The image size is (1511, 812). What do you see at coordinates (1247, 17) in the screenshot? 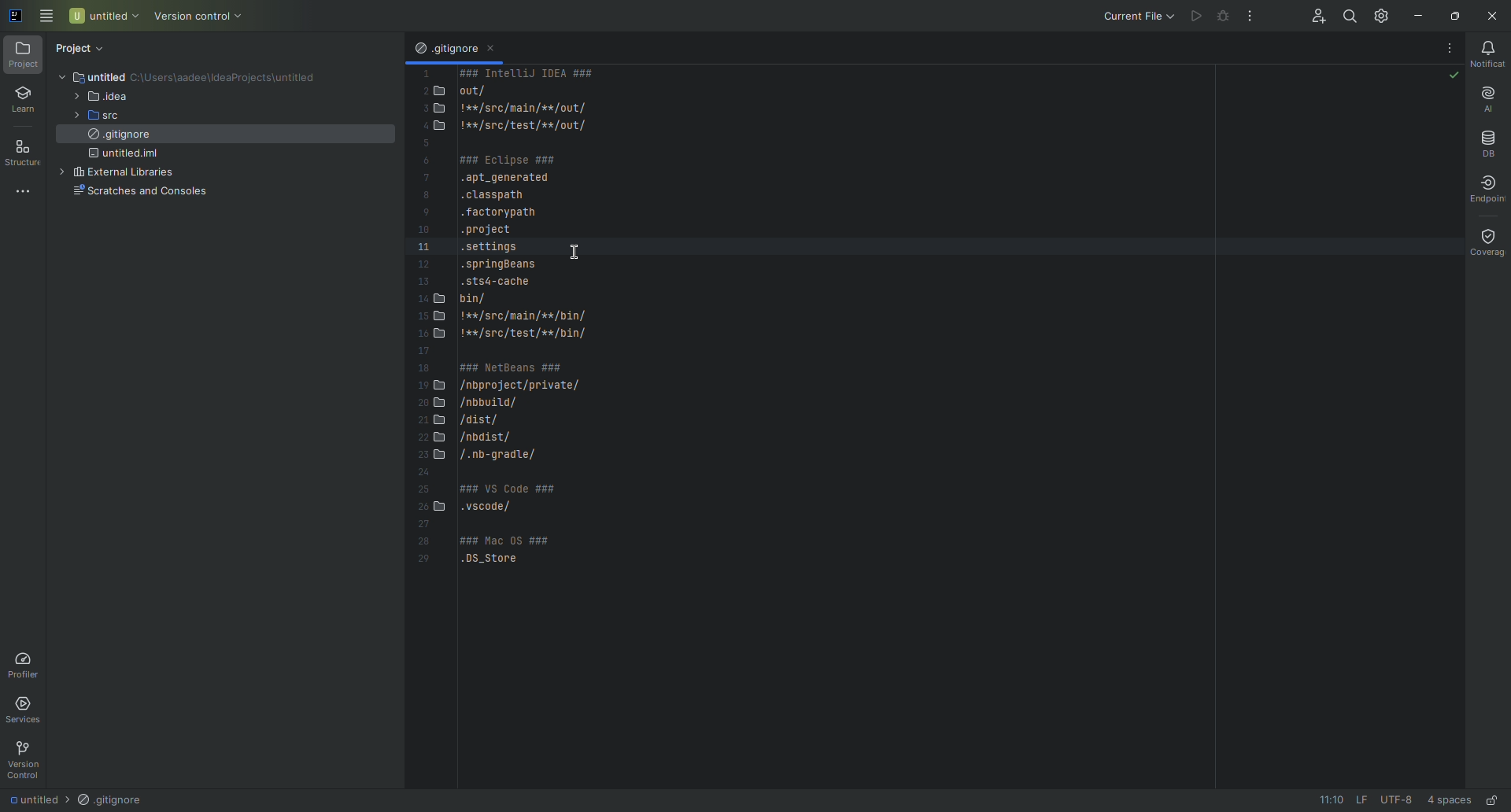
I see `More Actions` at bounding box center [1247, 17].